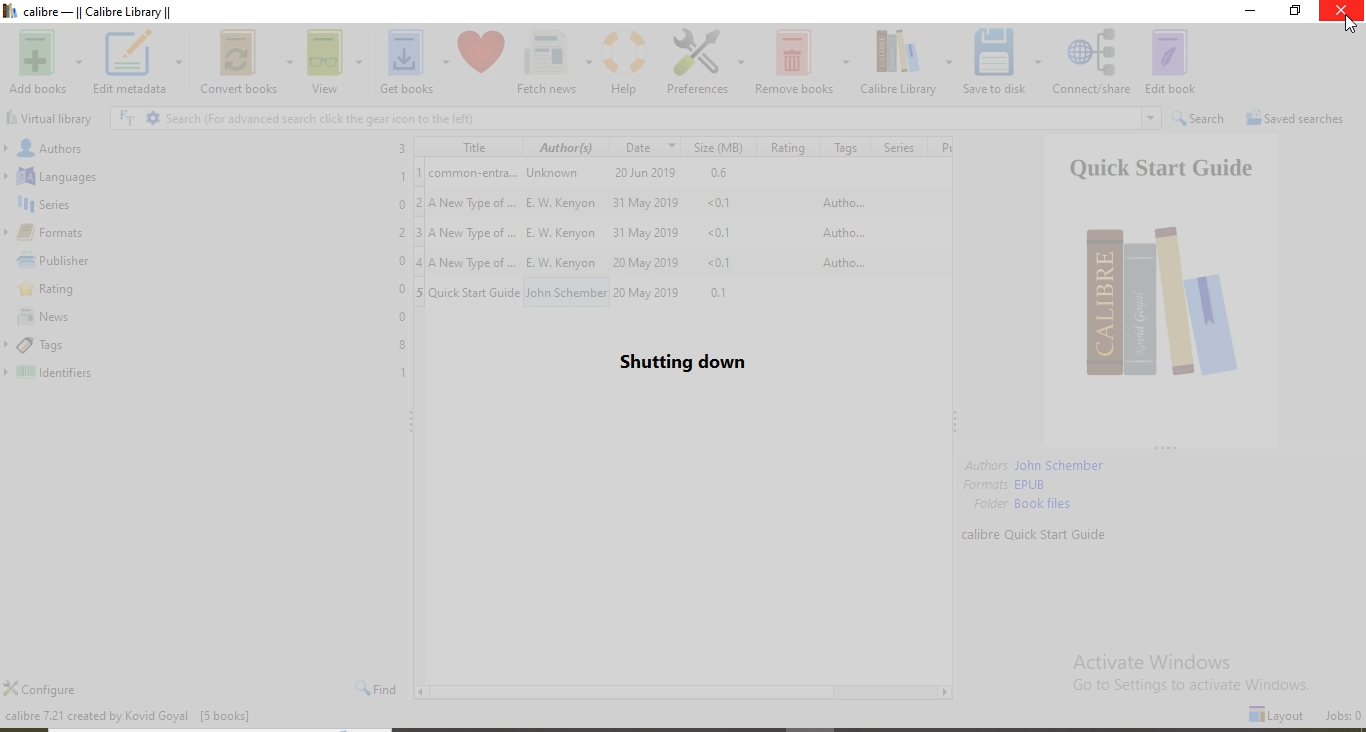 The width and height of the screenshot is (1366, 732). What do you see at coordinates (1003, 62) in the screenshot?
I see `Save to disk` at bounding box center [1003, 62].